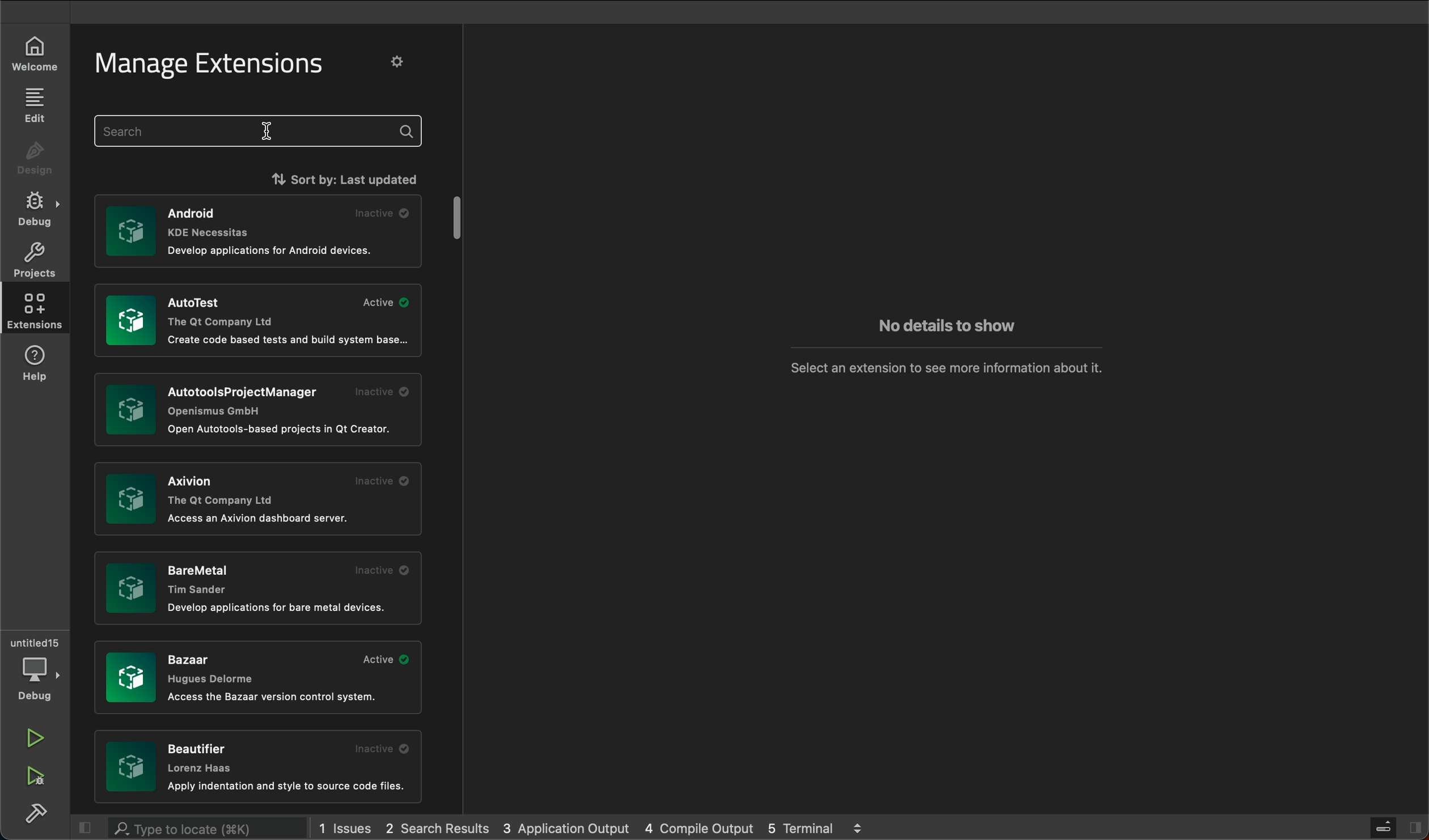 The width and height of the screenshot is (1429, 840). Describe the element at coordinates (130, 677) in the screenshot. I see `image` at that location.